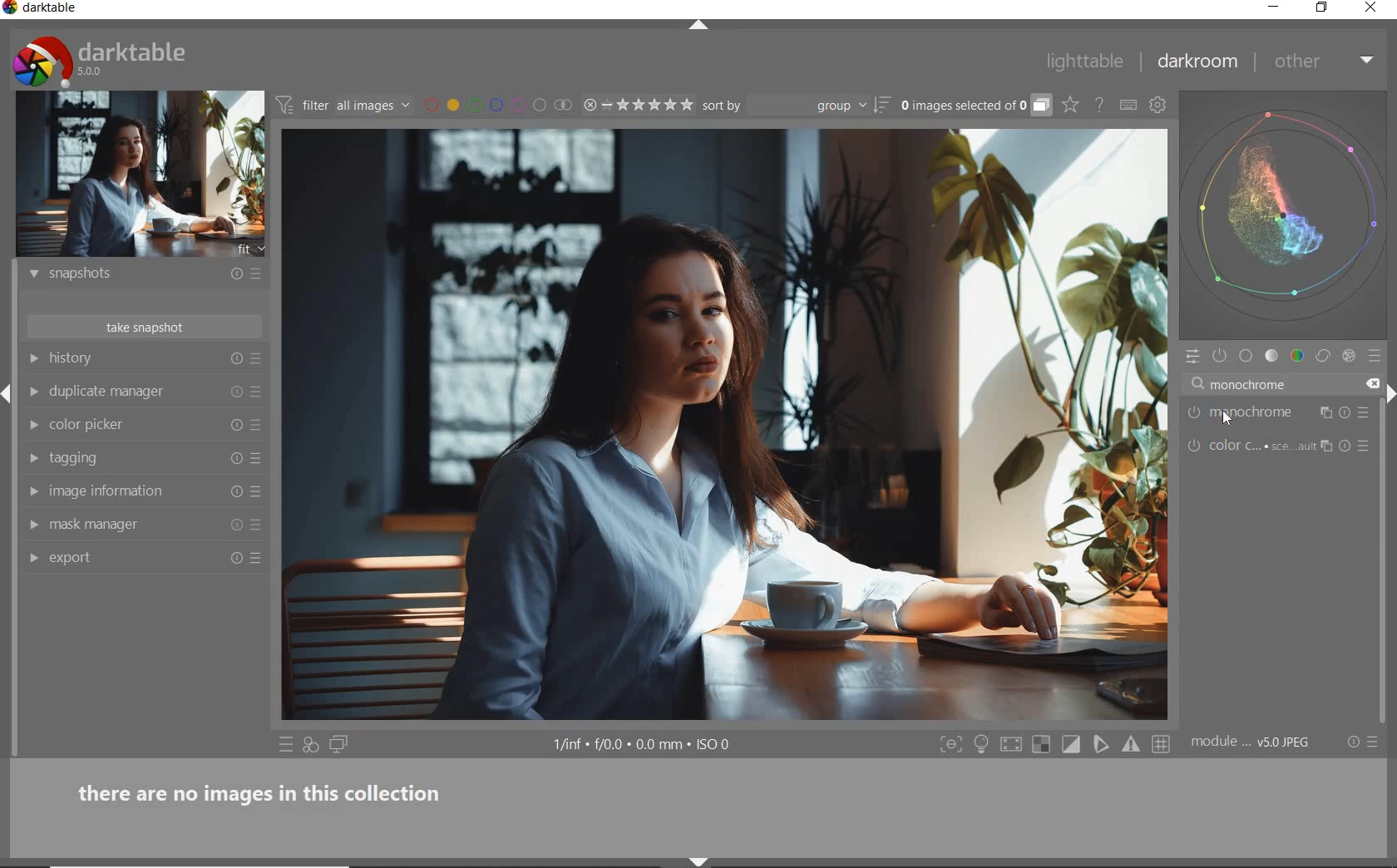 This screenshot has height=868, width=1397. What do you see at coordinates (1284, 214) in the screenshot?
I see `waveform` at bounding box center [1284, 214].